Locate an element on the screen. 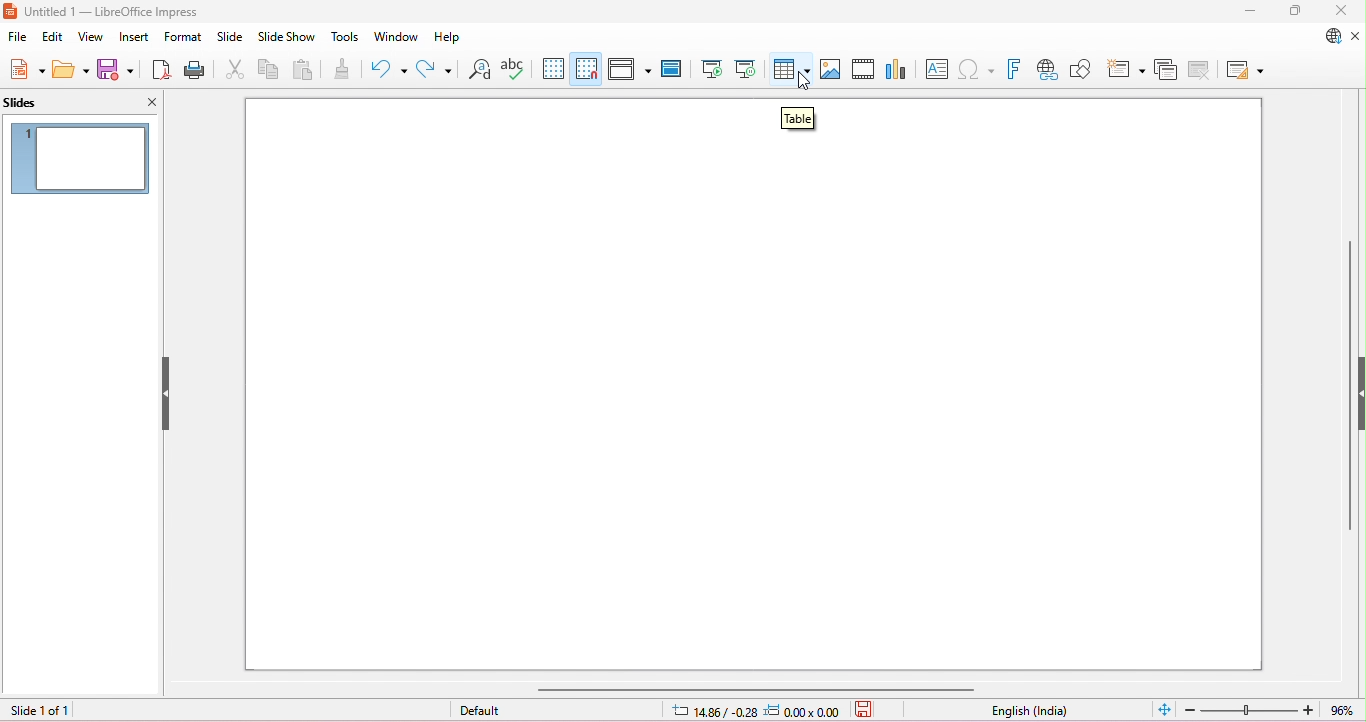 The width and height of the screenshot is (1366, 722). file is located at coordinates (19, 37).